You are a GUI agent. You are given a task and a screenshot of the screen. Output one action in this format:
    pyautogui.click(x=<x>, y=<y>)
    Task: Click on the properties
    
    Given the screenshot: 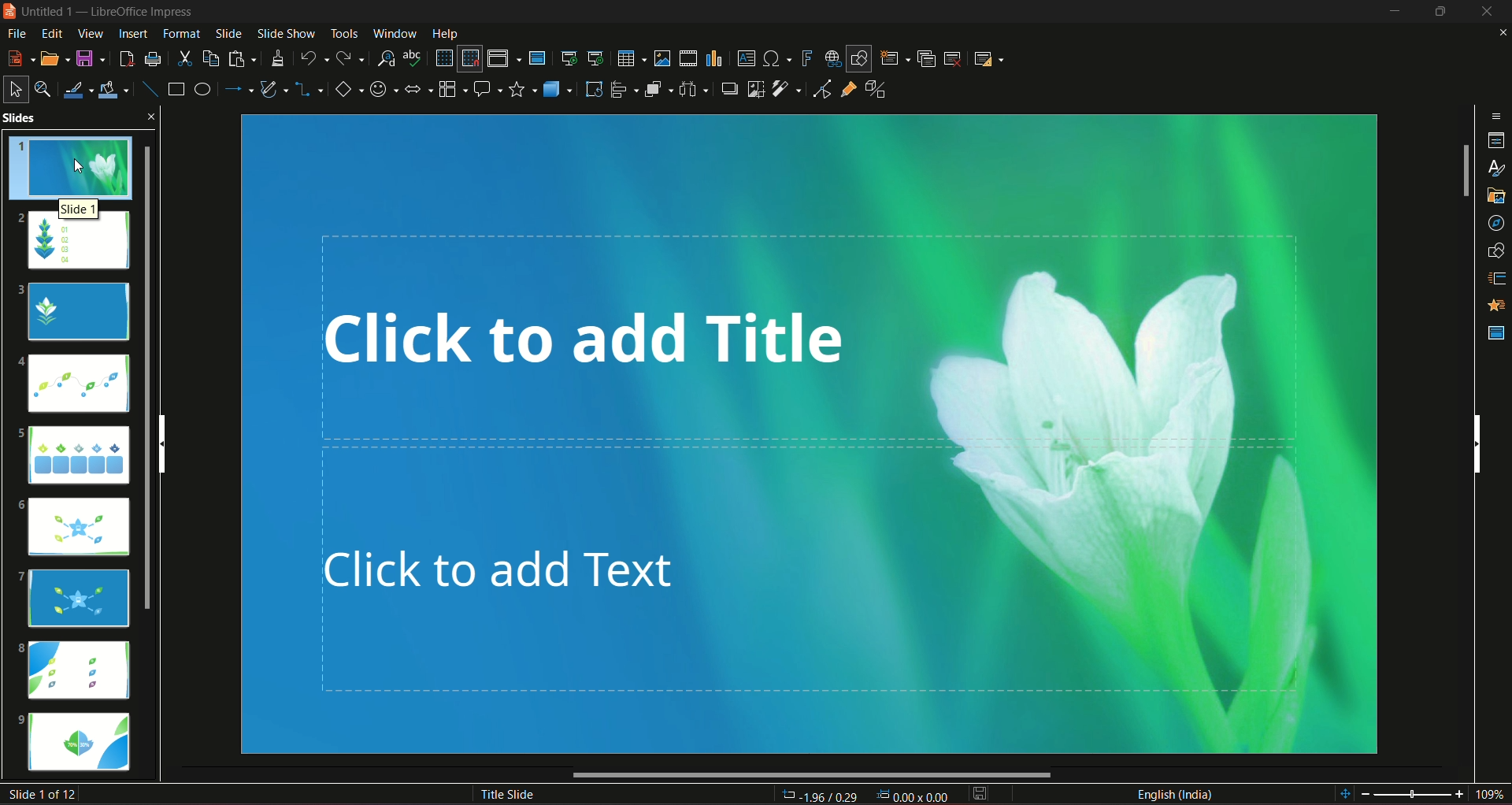 What is the action you would take?
    pyautogui.click(x=1495, y=139)
    